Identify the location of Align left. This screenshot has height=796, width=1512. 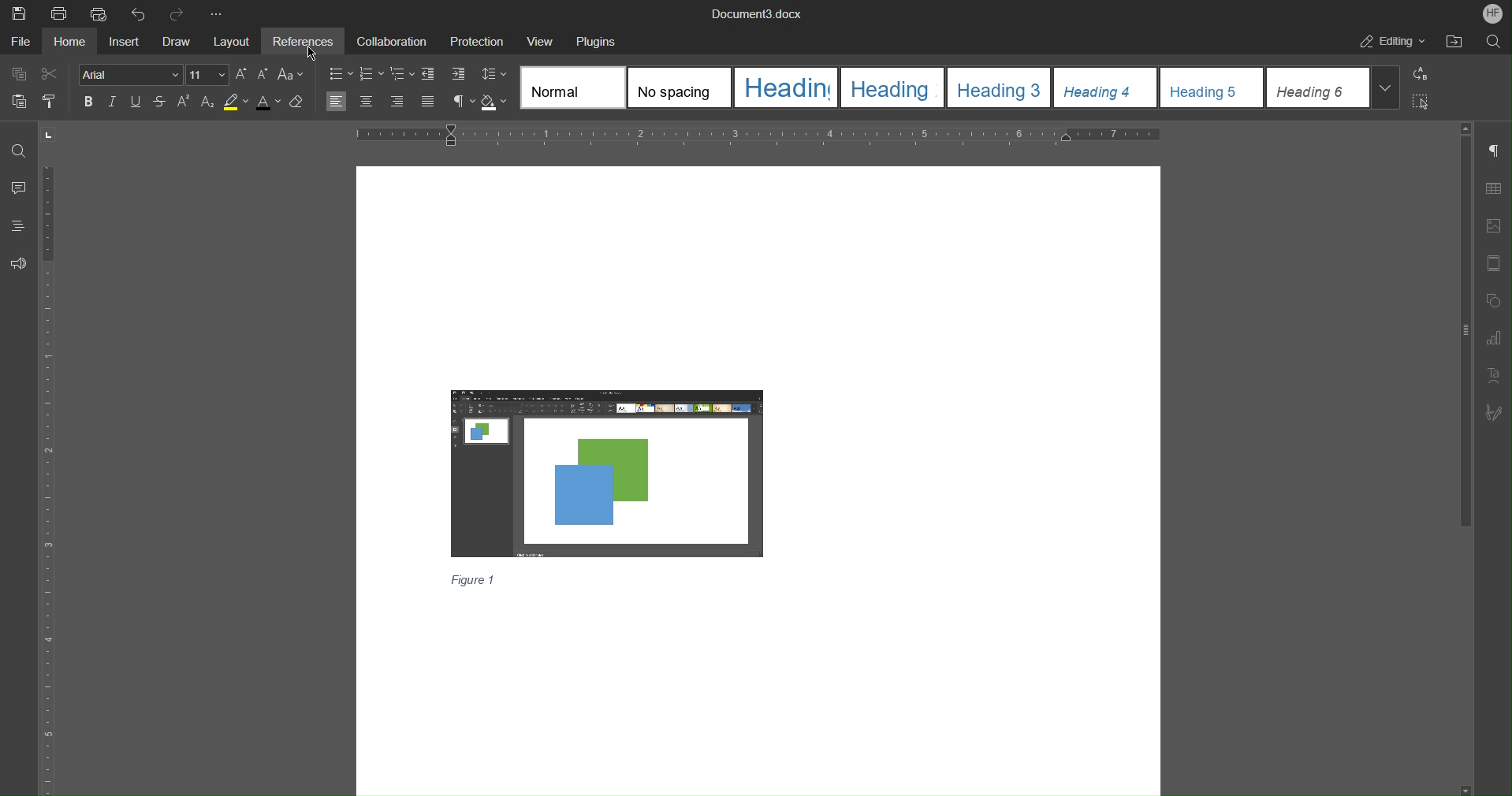
(337, 102).